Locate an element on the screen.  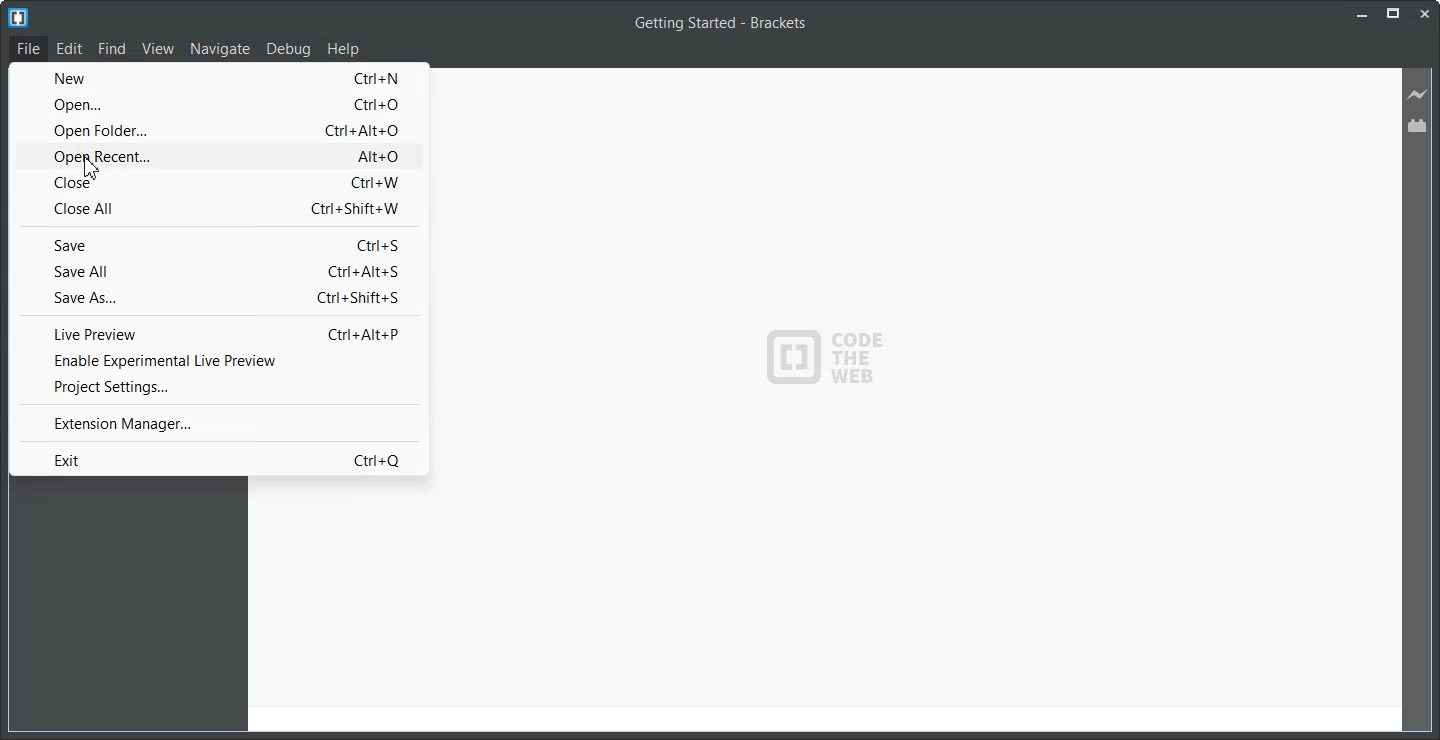
Live Preview is located at coordinates (221, 333).